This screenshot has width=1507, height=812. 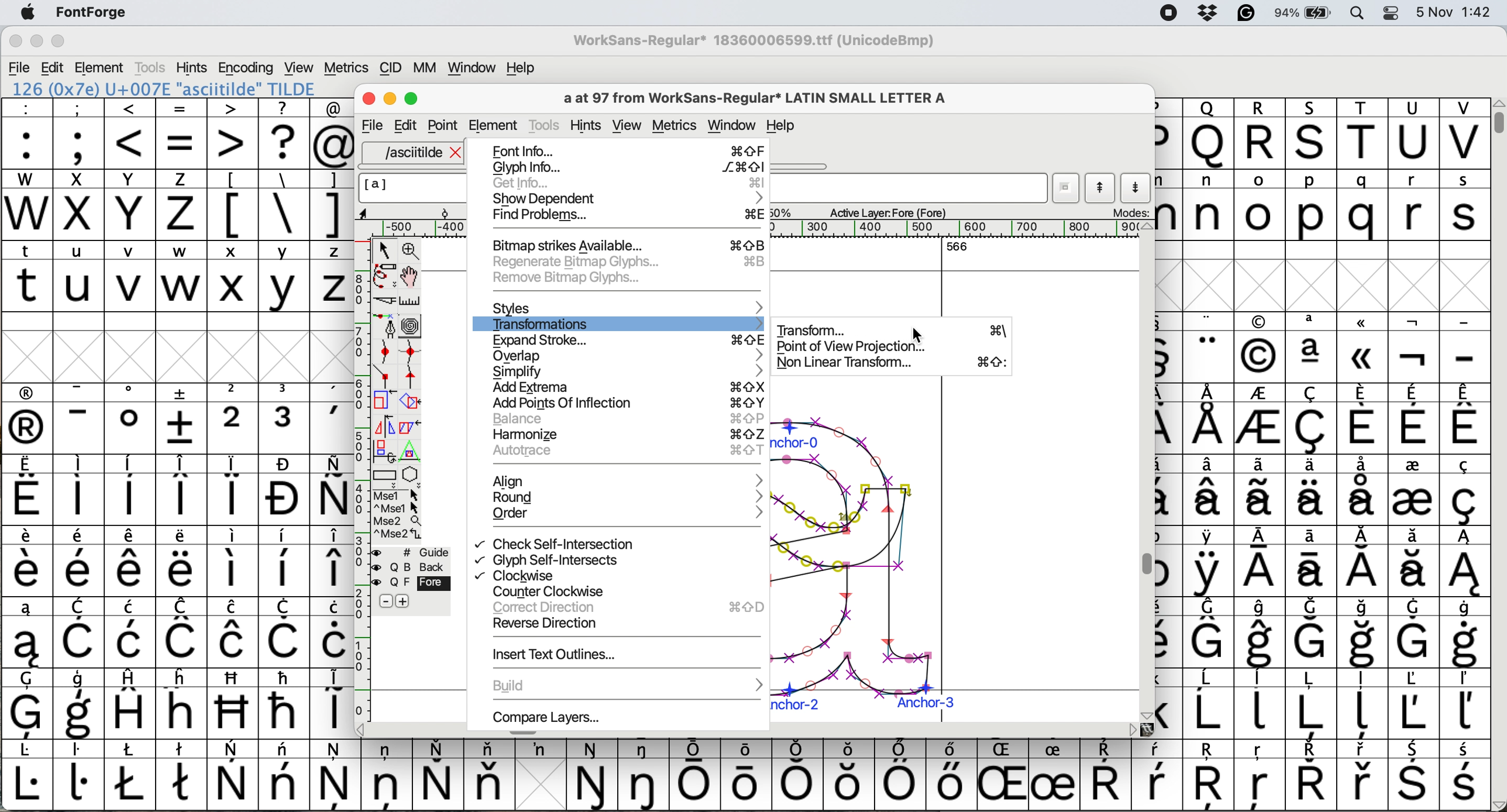 What do you see at coordinates (130, 490) in the screenshot?
I see `symbol` at bounding box center [130, 490].